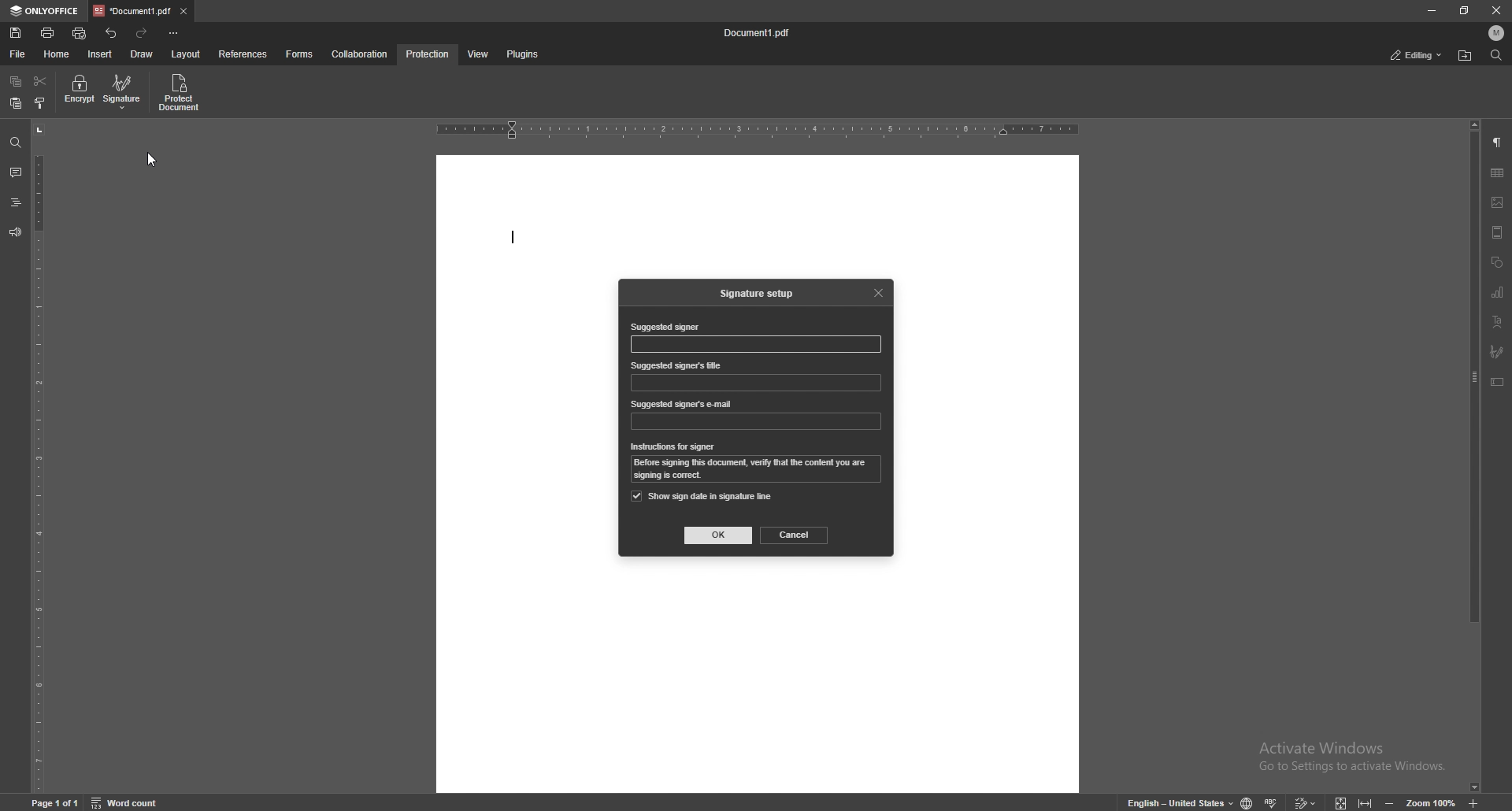 The image size is (1512, 811). I want to click on zoom in, so click(1487, 803).